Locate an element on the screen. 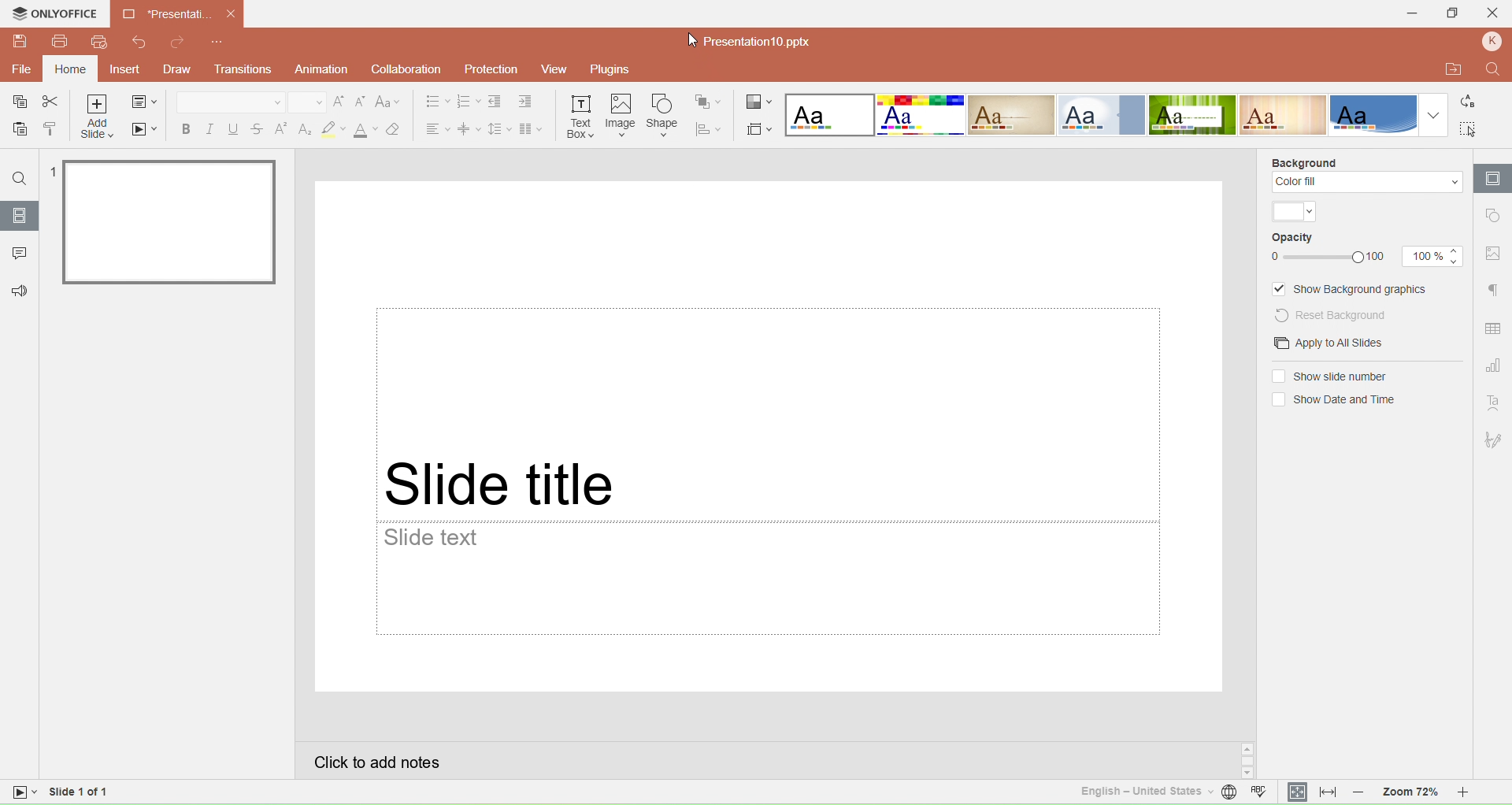 The width and height of the screenshot is (1512, 805). Animation is located at coordinates (321, 69).